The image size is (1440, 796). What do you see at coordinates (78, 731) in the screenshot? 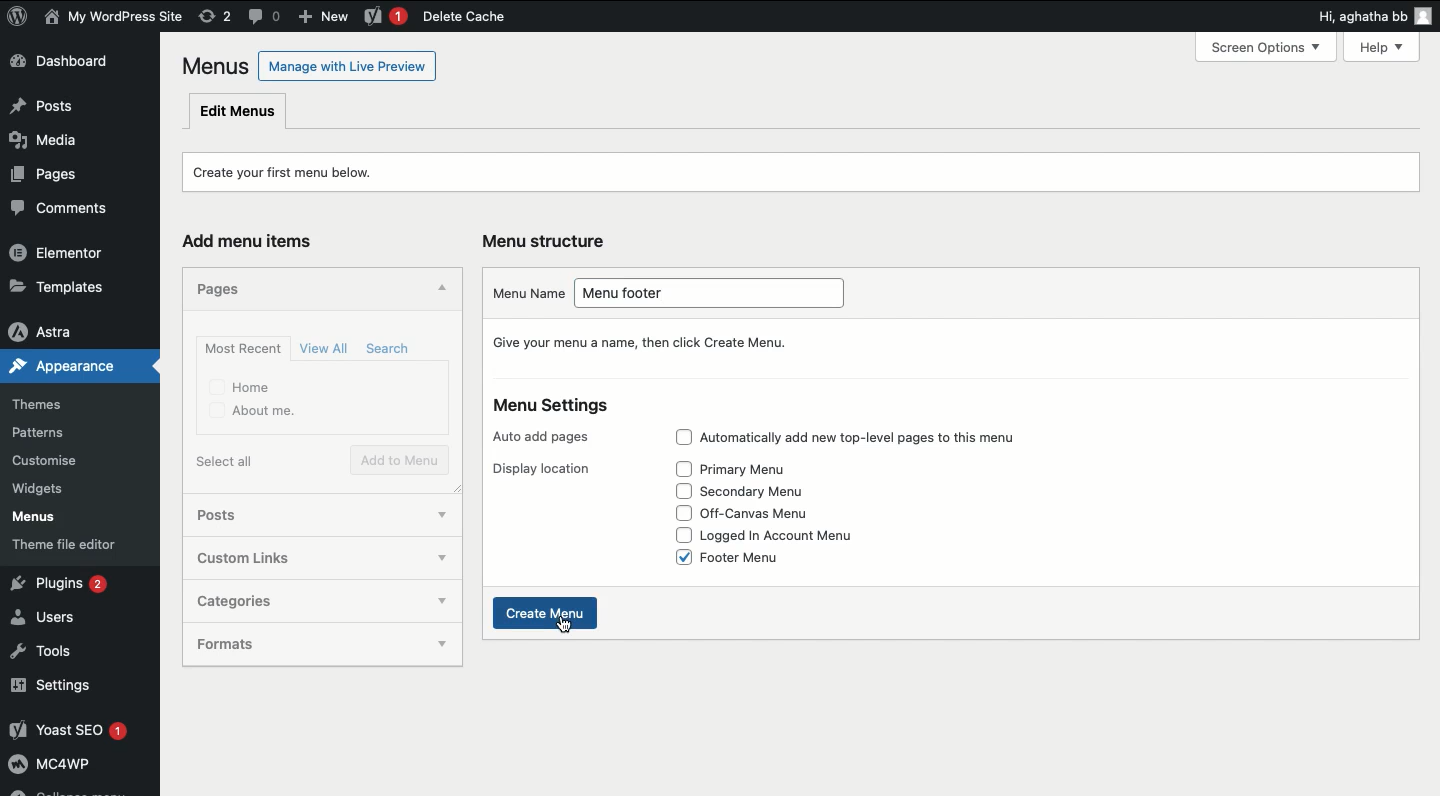
I see ` Yoast SEO ` at bounding box center [78, 731].